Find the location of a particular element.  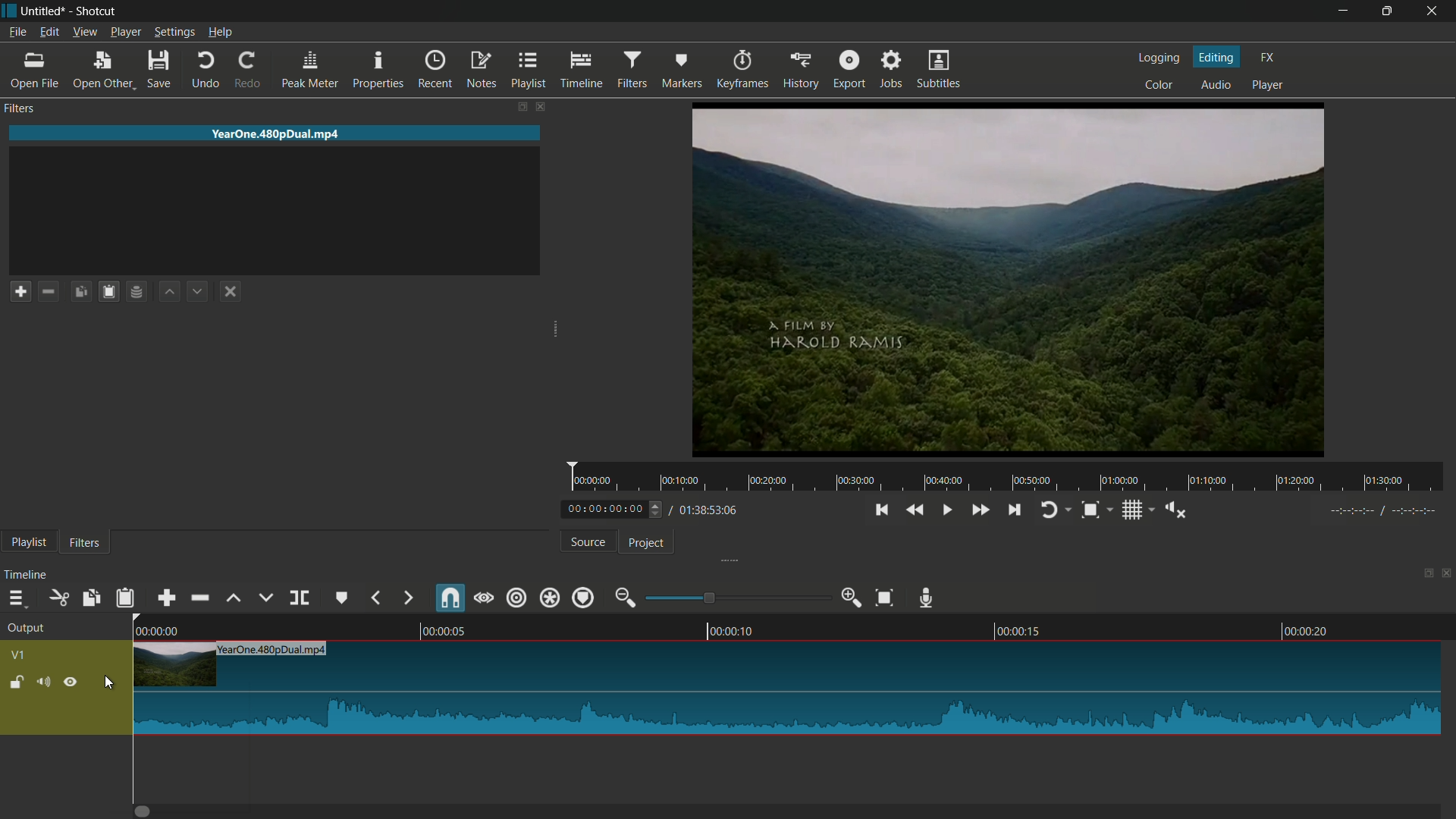

settings menu is located at coordinates (174, 32).